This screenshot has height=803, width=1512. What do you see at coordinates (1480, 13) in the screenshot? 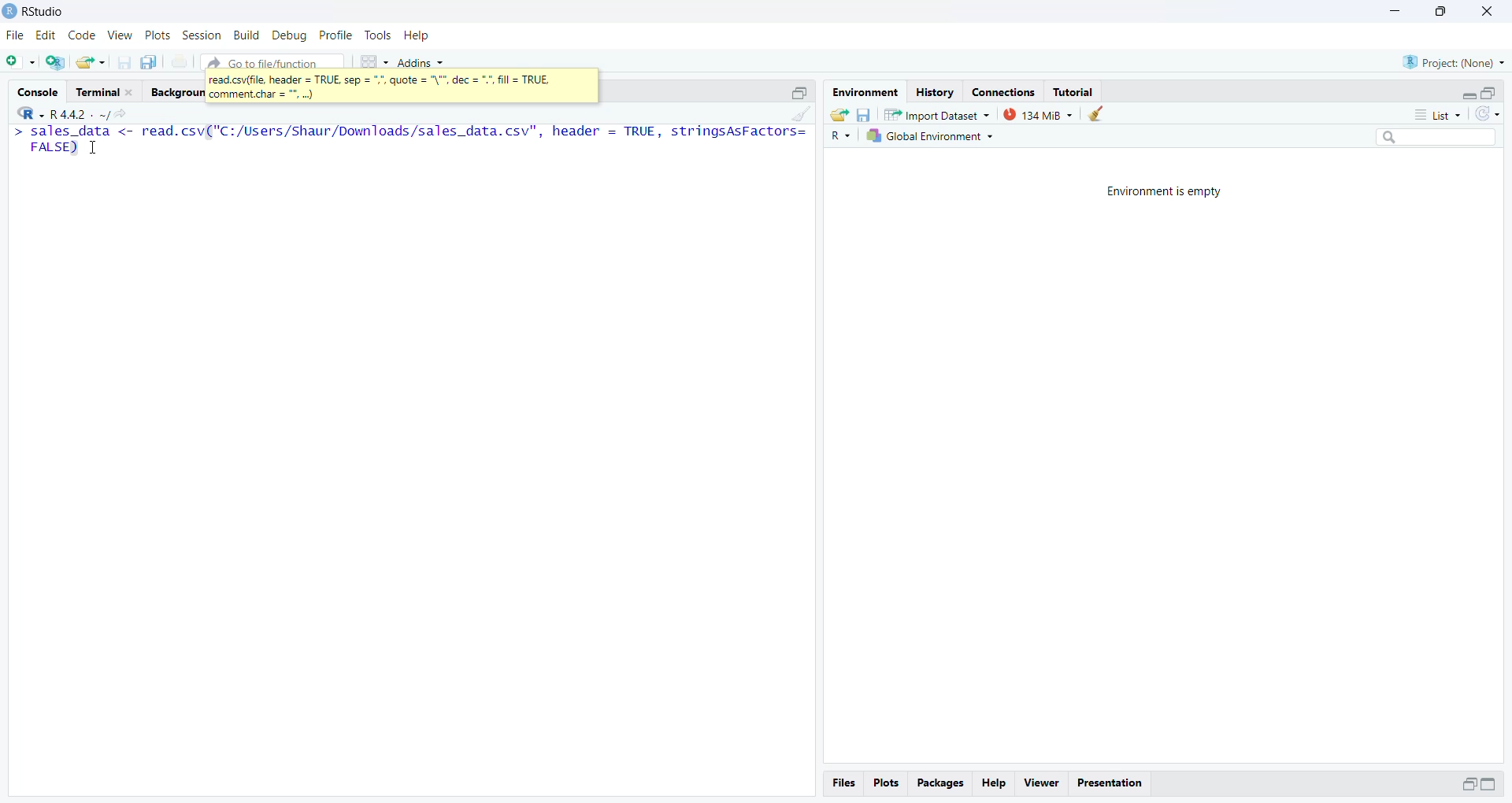
I see `Close` at bounding box center [1480, 13].